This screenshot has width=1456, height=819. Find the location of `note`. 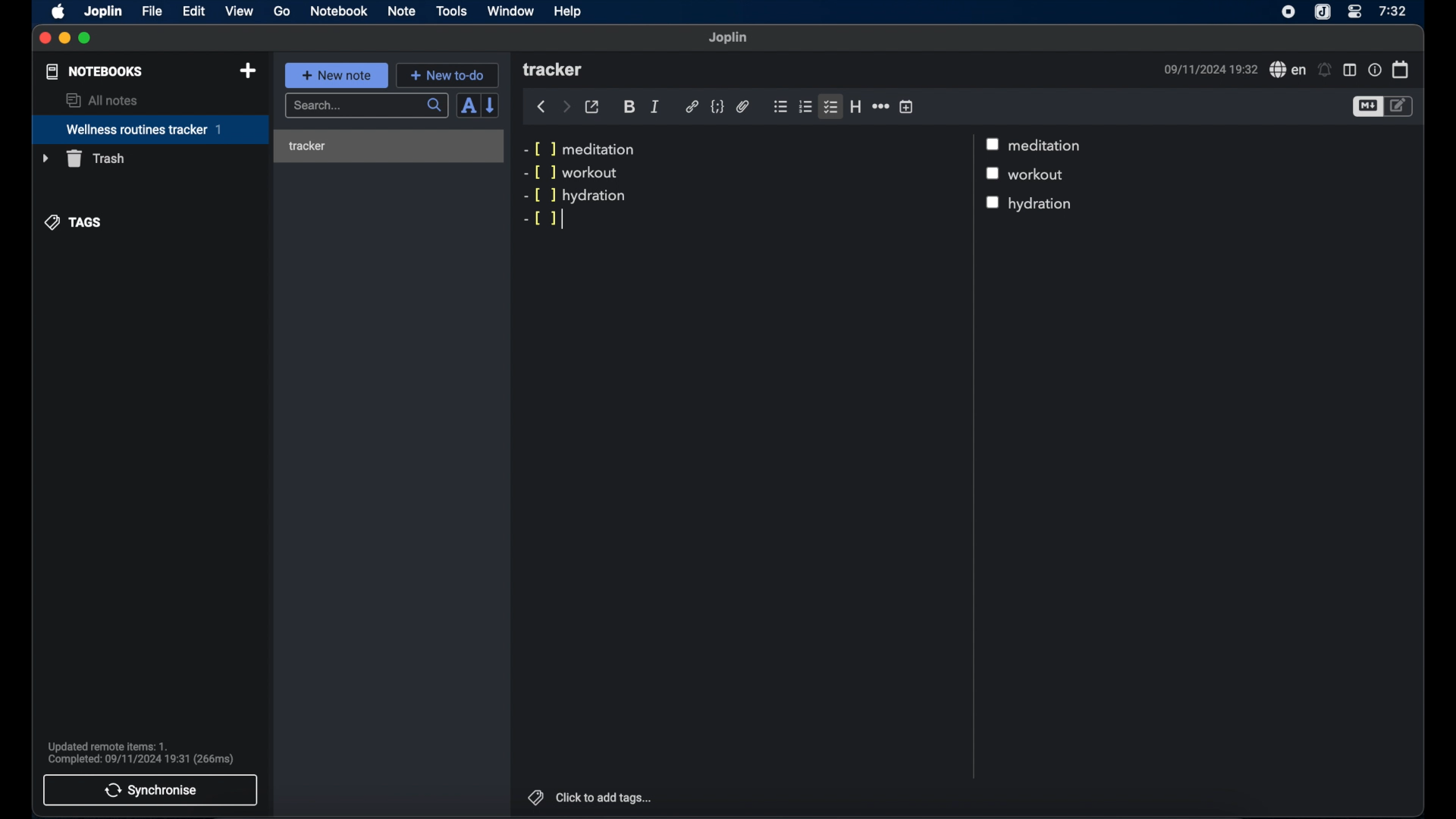

note is located at coordinates (402, 12).